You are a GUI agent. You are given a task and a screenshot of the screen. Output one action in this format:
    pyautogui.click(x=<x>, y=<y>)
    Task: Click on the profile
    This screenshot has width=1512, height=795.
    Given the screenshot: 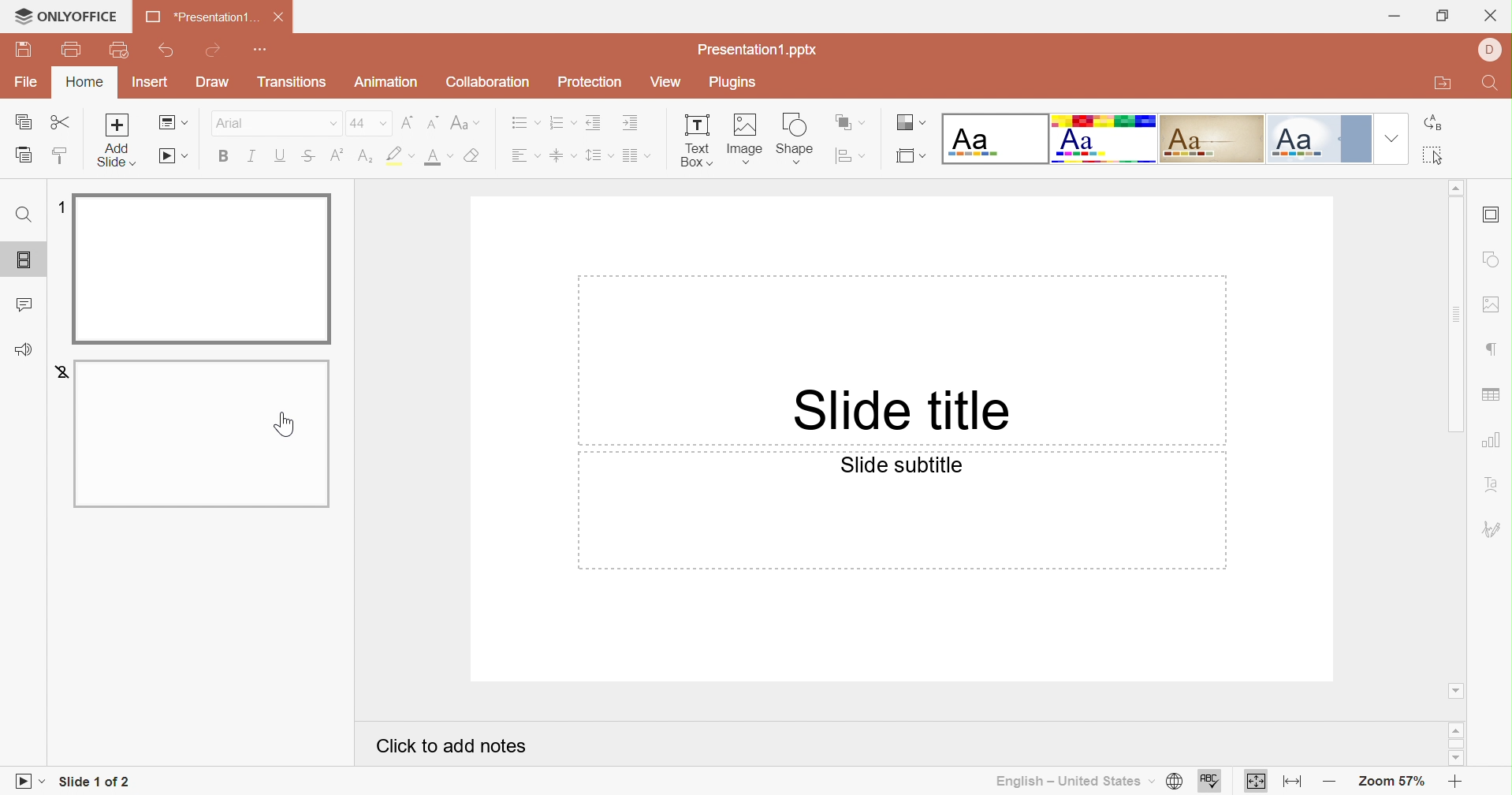 What is the action you would take?
    pyautogui.click(x=1490, y=47)
    